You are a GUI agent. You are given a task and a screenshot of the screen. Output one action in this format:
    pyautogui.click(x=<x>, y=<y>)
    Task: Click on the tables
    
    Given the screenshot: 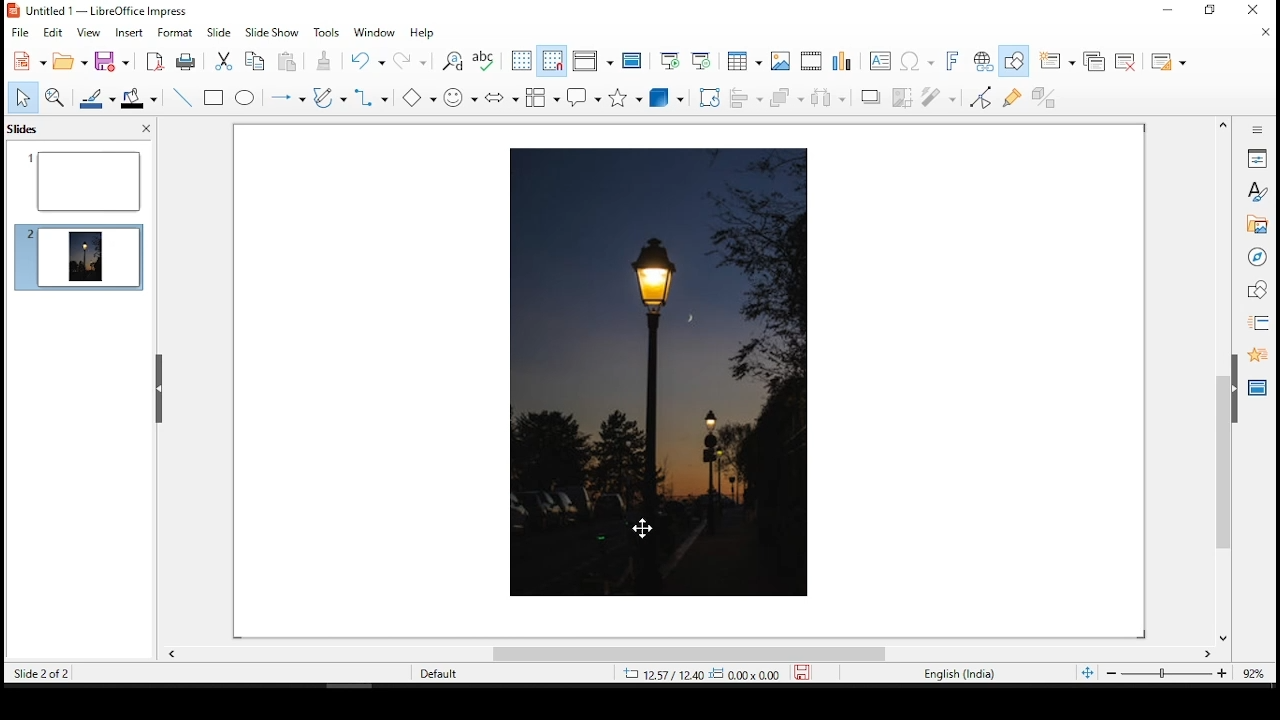 What is the action you would take?
    pyautogui.click(x=743, y=59)
    